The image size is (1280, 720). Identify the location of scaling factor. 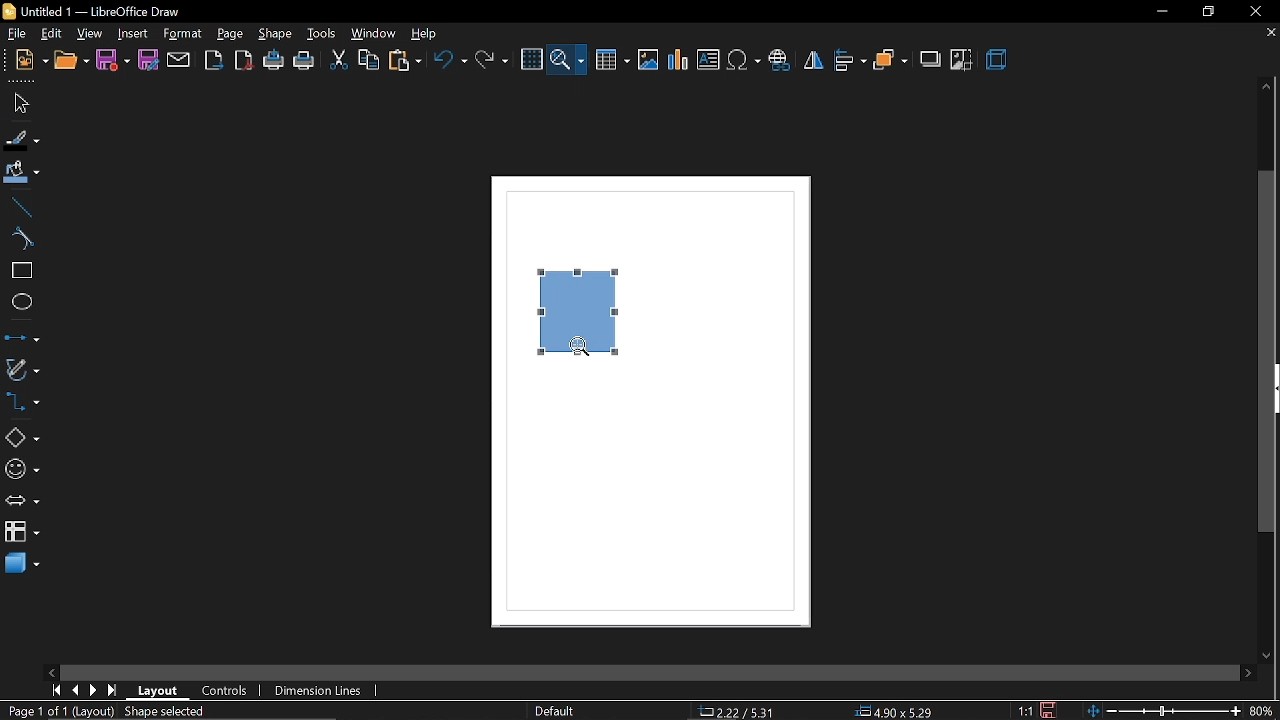
(1027, 709).